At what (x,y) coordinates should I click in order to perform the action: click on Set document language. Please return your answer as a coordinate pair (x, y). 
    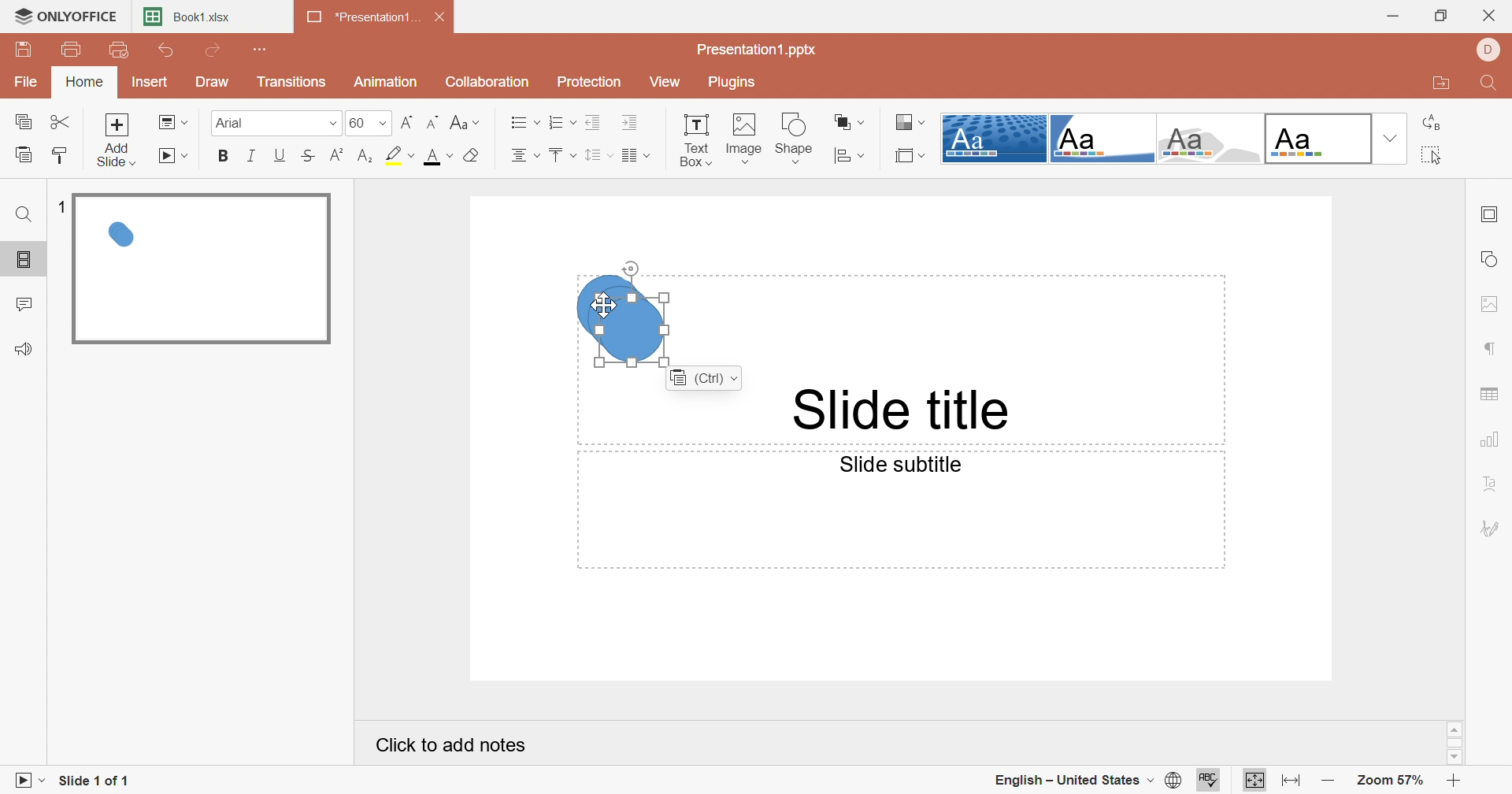
    Looking at the image, I should click on (1176, 781).